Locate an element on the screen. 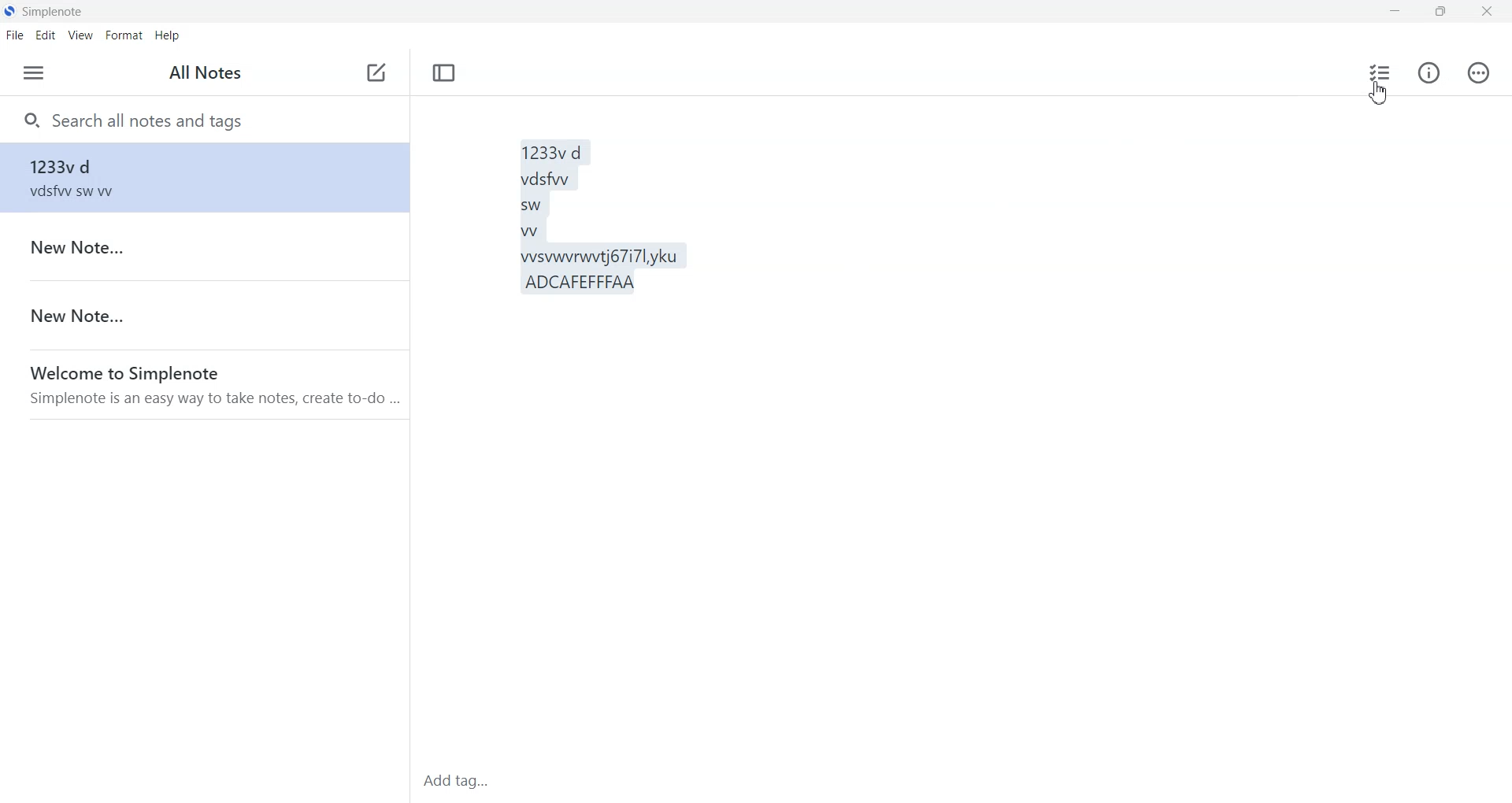 This screenshot has width=1512, height=803. Info is located at coordinates (1429, 75).